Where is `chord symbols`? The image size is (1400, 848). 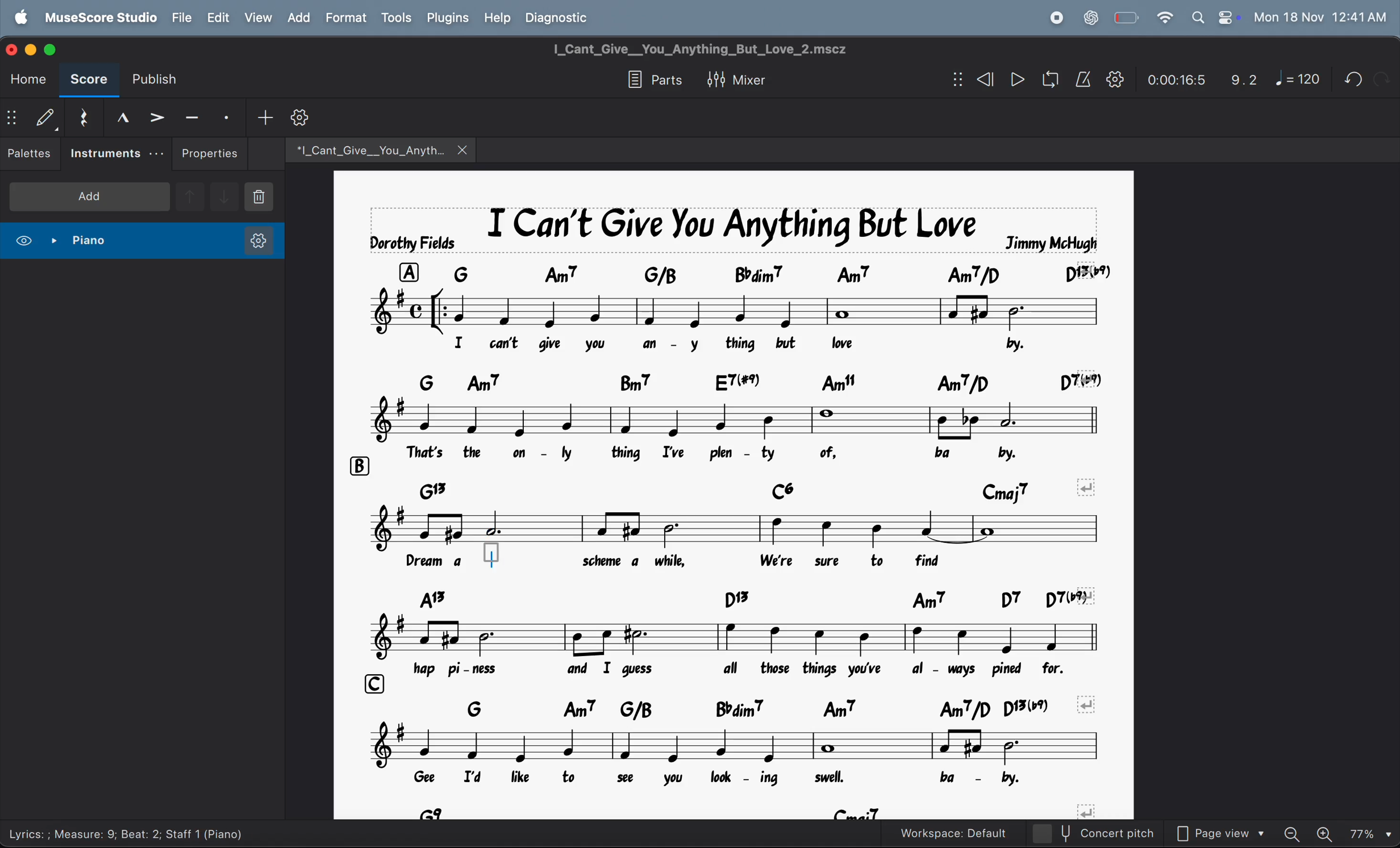 chord symbols is located at coordinates (782, 274).